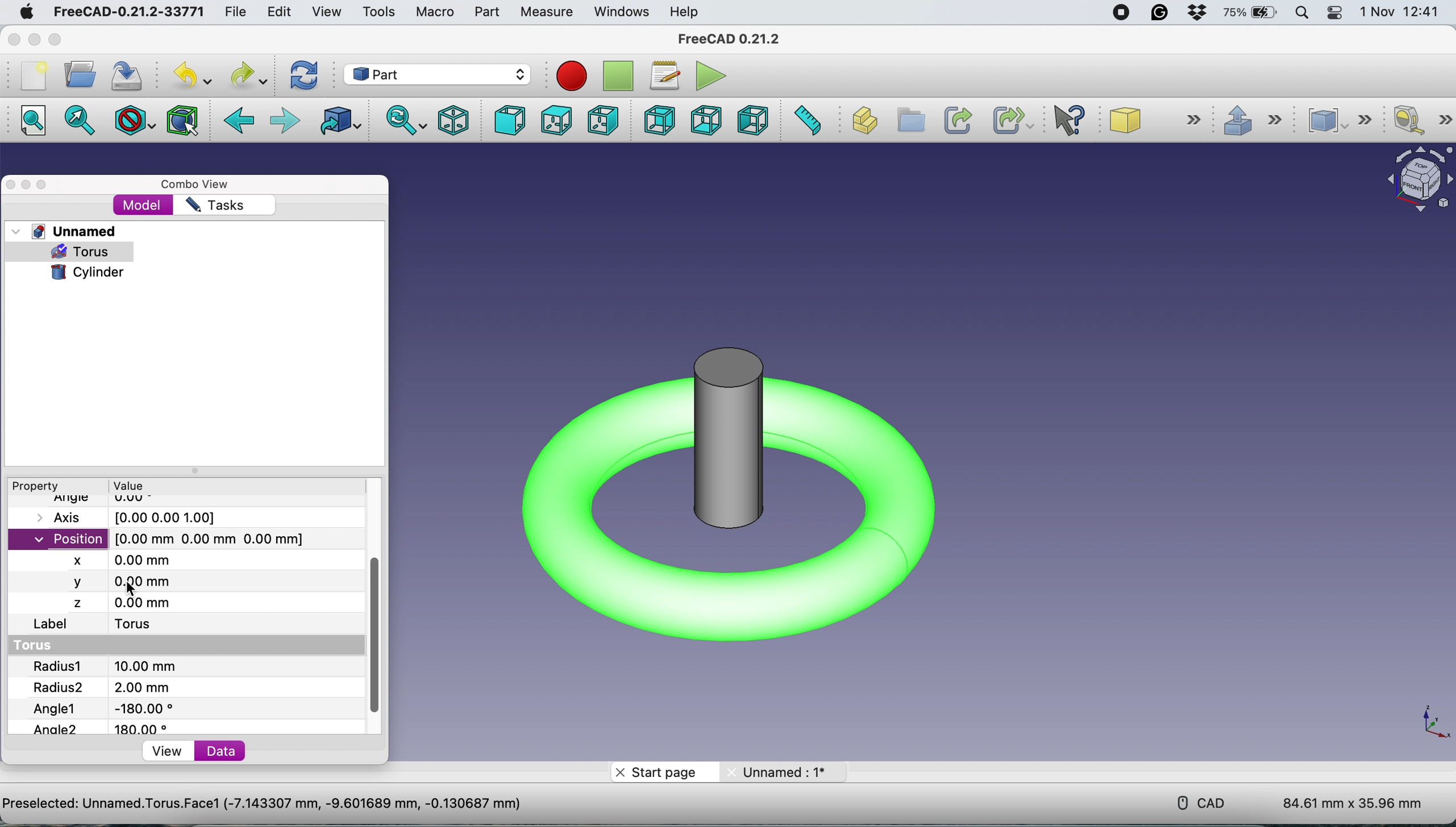 This screenshot has height=827, width=1456. I want to click on save, so click(122, 77).